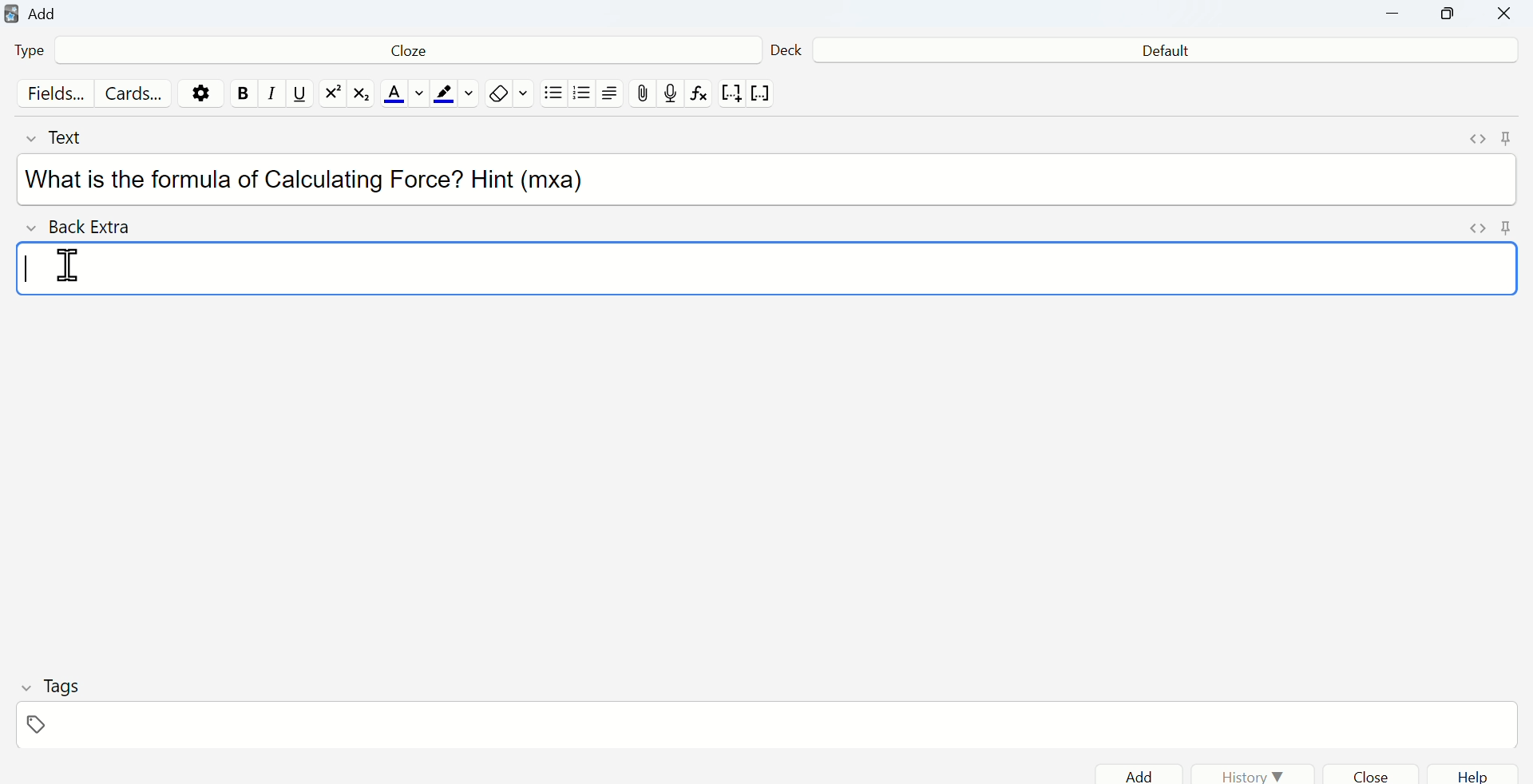 Image resolution: width=1533 pixels, height=784 pixels. I want to click on Cloze, so click(402, 53).